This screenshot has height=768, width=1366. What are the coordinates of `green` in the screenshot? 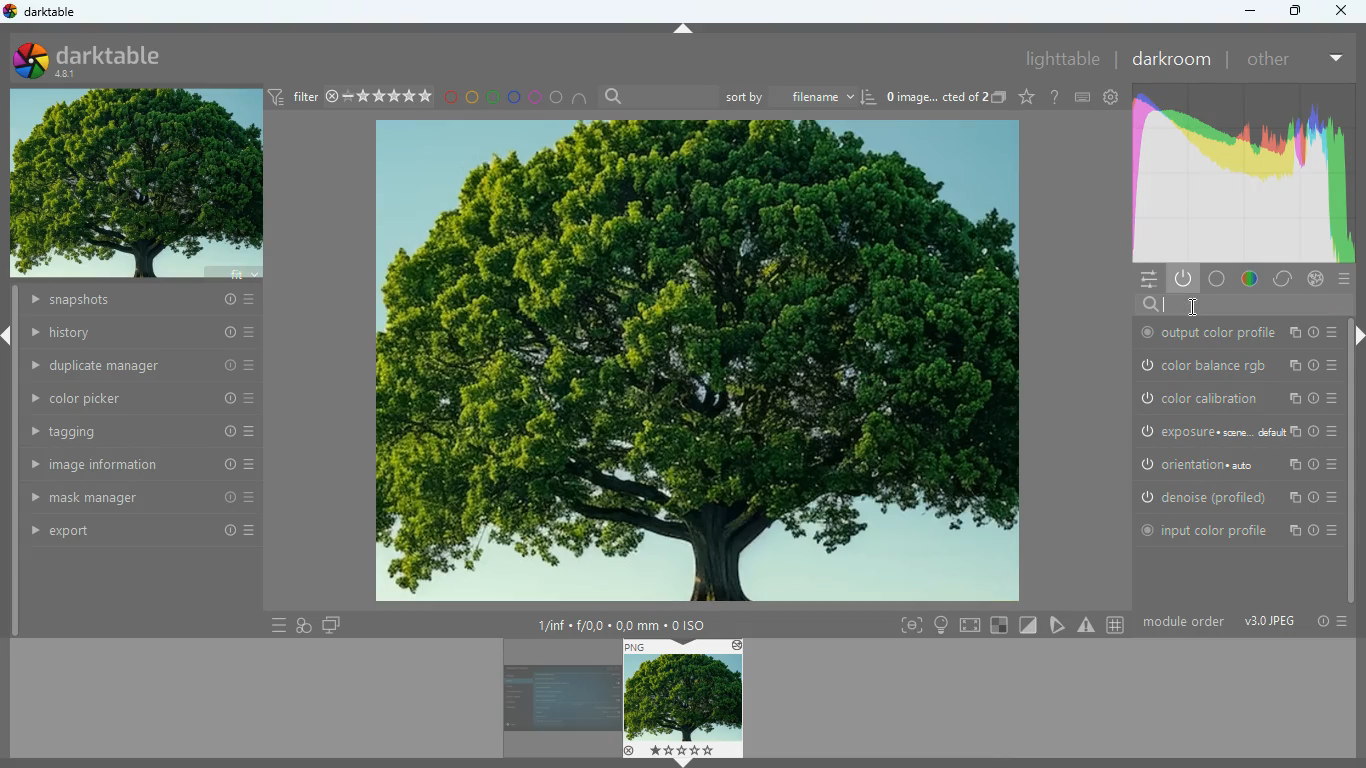 It's located at (494, 98).